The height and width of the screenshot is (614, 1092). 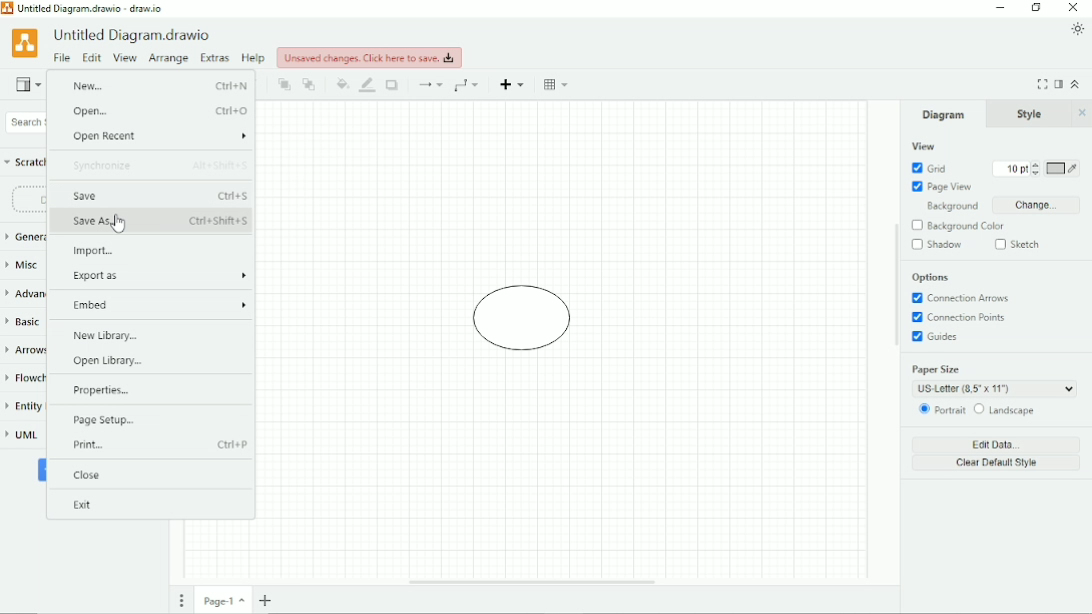 I want to click on Minimize, so click(x=1001, y=7).